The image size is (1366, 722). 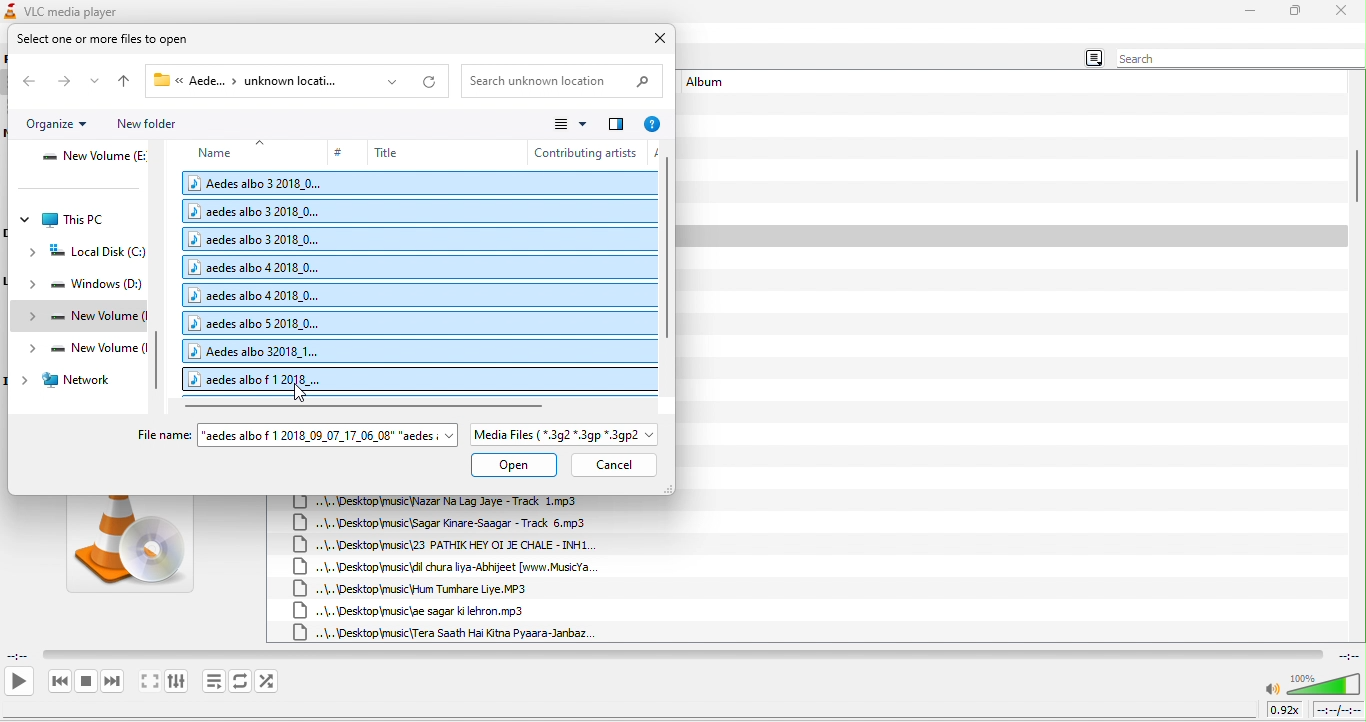 What do you see at coordinates (1342, 11) in the screenshot?
I see `close` at bounding box center [1342, 11].